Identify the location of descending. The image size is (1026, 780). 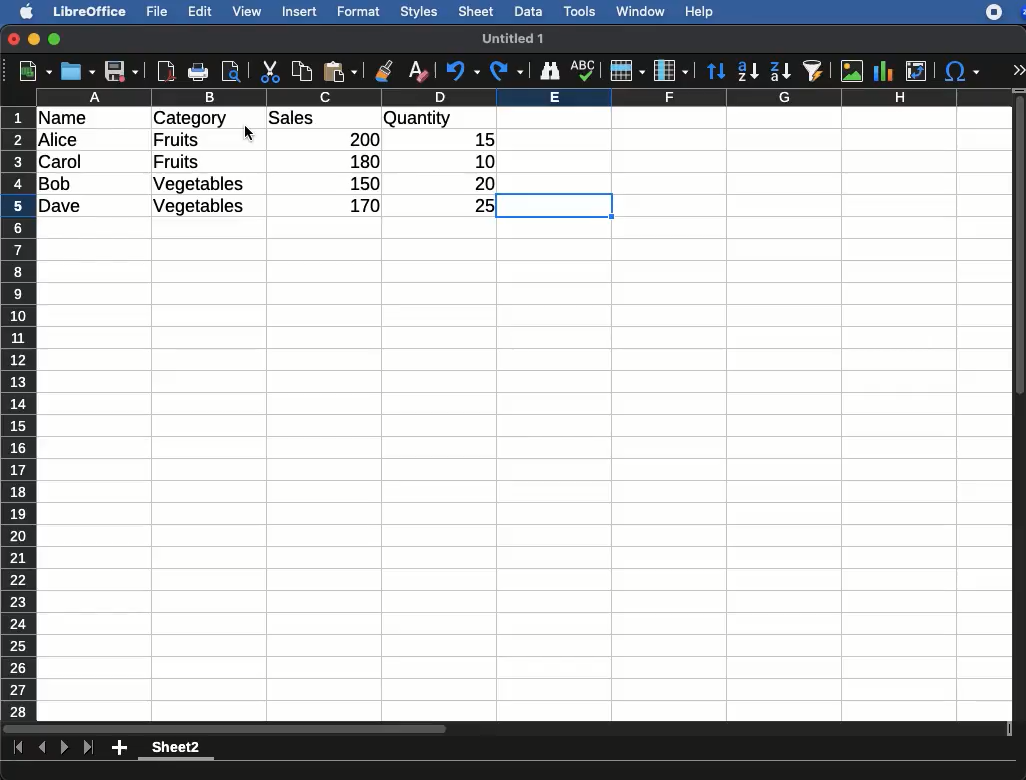
(781, 72).